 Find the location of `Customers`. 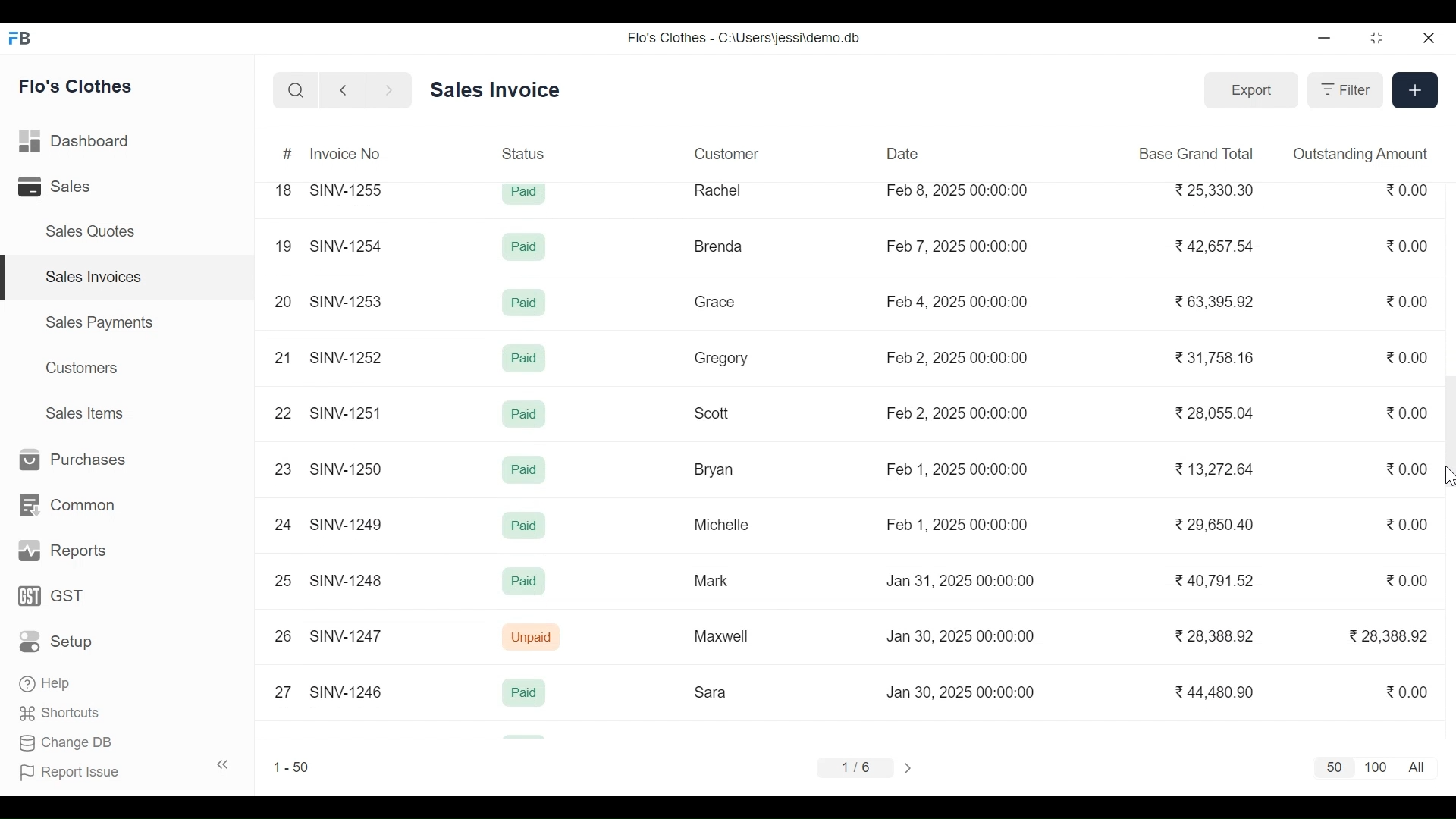

Customers is located at coordinates (84, 368).